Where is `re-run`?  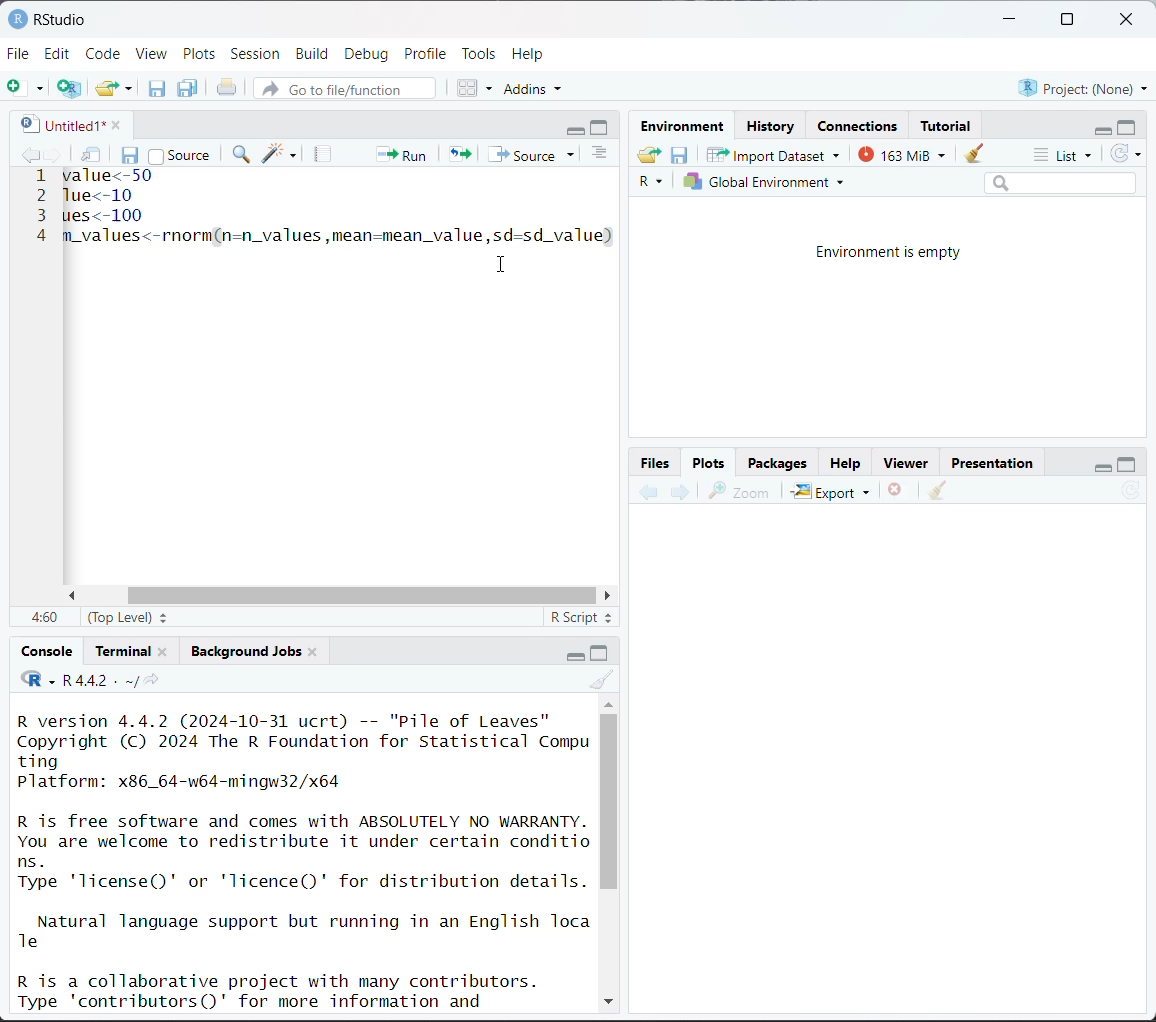 re-run is located at coordinates (458, 153).